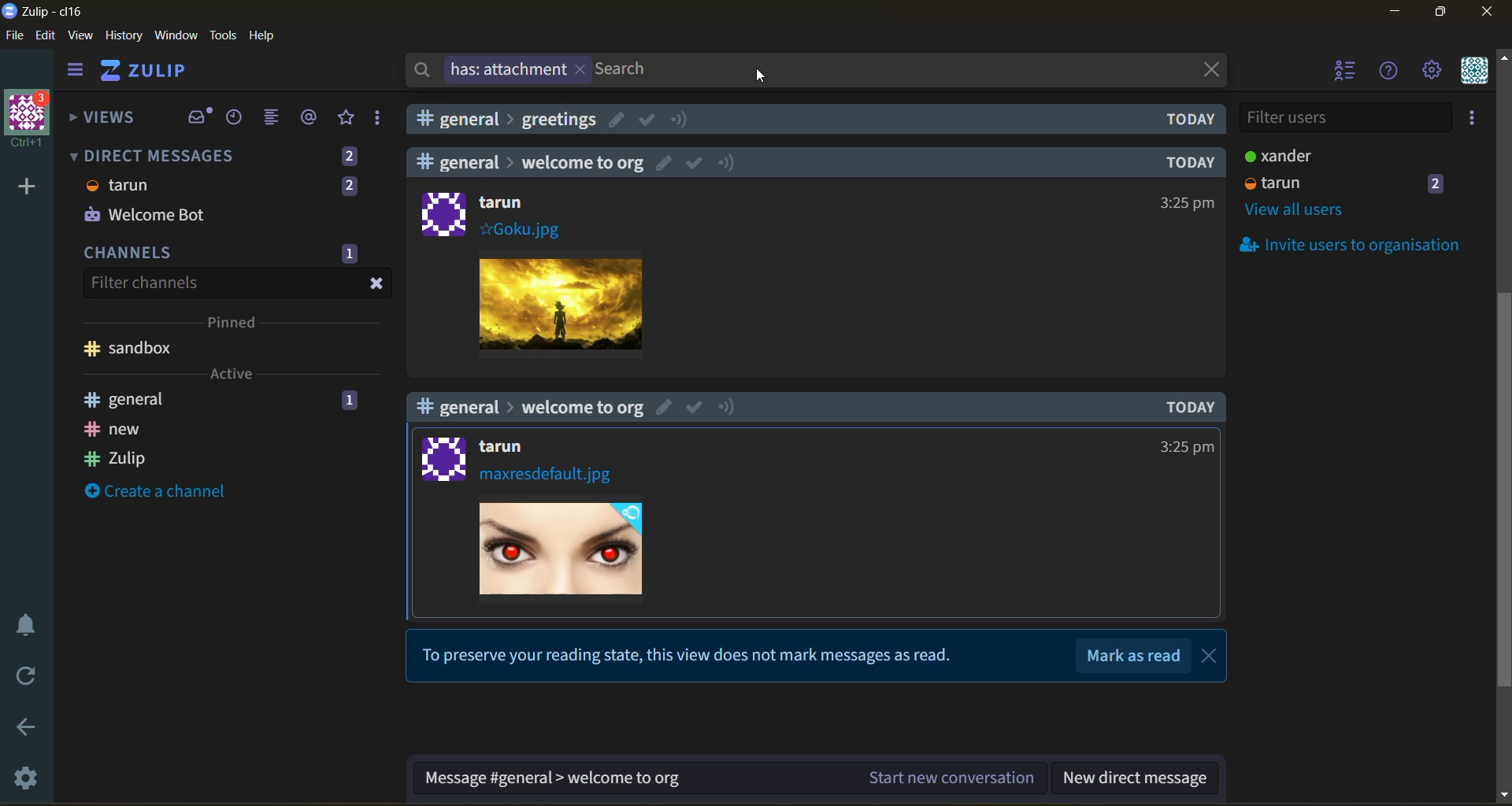  Describe the element at coordinates (552, 779) in the screenshot. I see `Message #general > welcome to org` at that location.